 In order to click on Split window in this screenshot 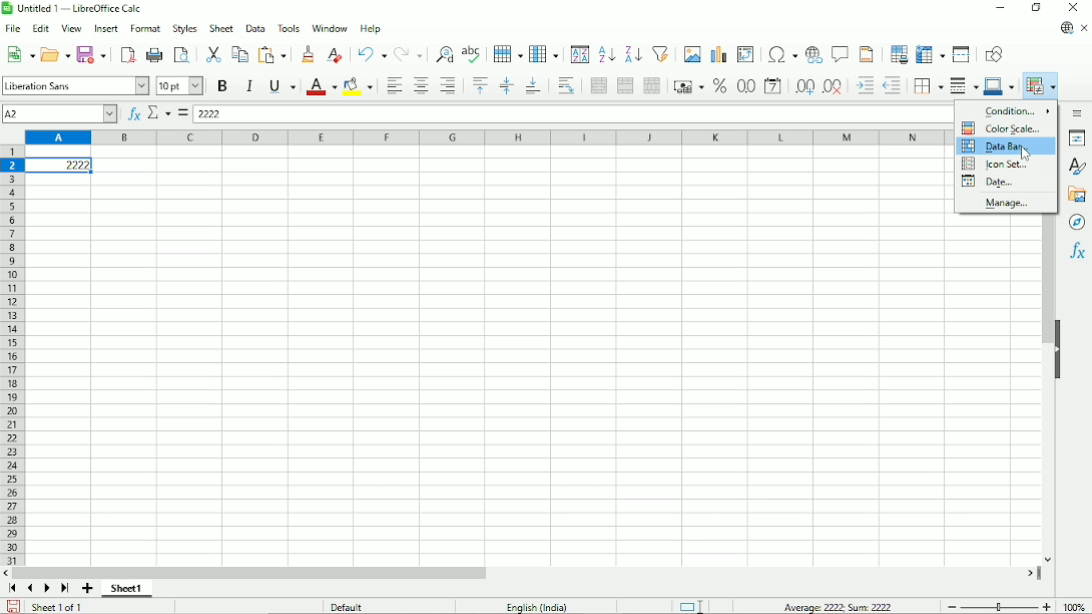, I will do `click(961, 54)`.